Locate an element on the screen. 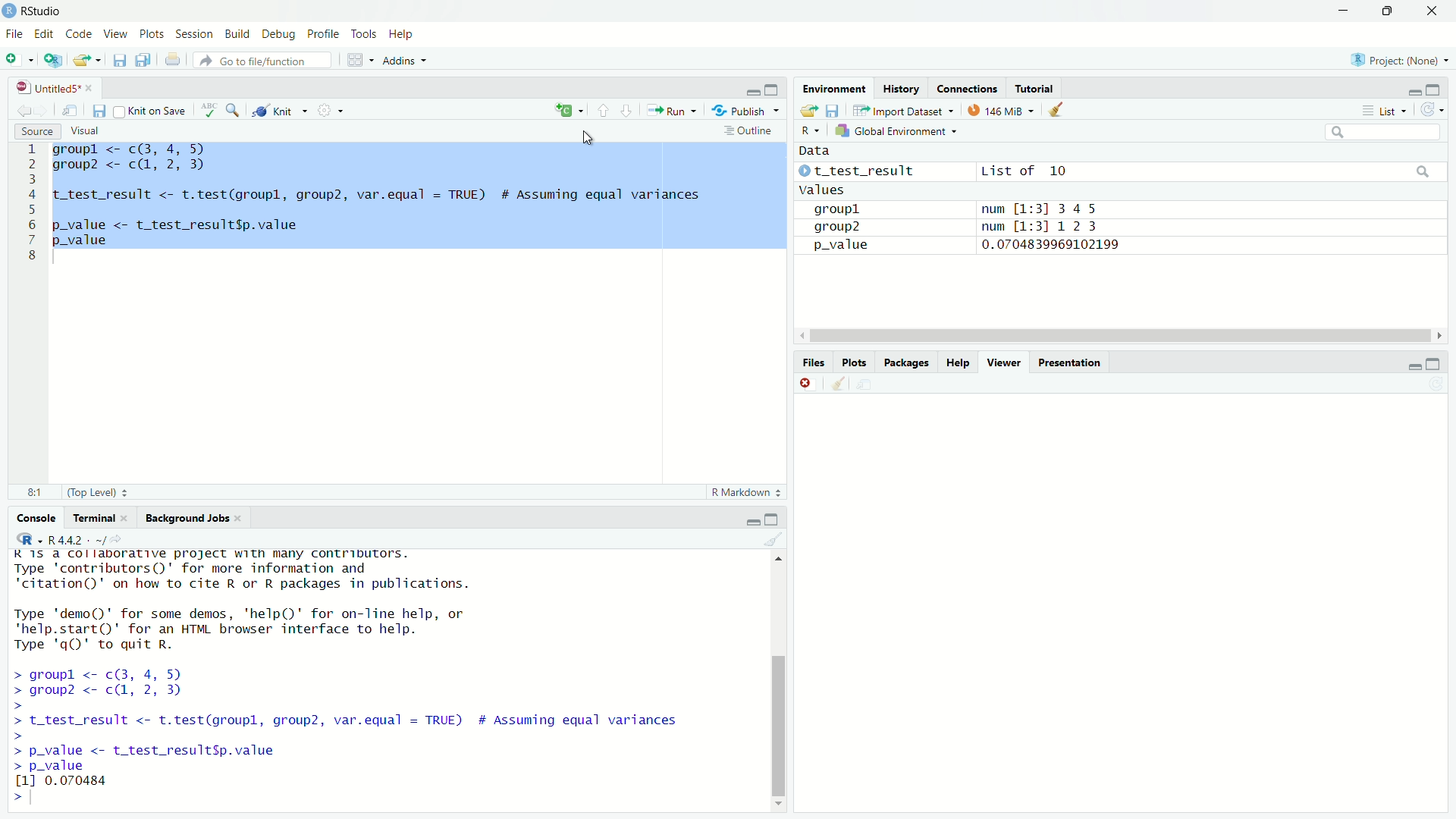 Image resolution: width=1456 pixels, height=819 pixels. maximise is located at coordinates (773, 89).